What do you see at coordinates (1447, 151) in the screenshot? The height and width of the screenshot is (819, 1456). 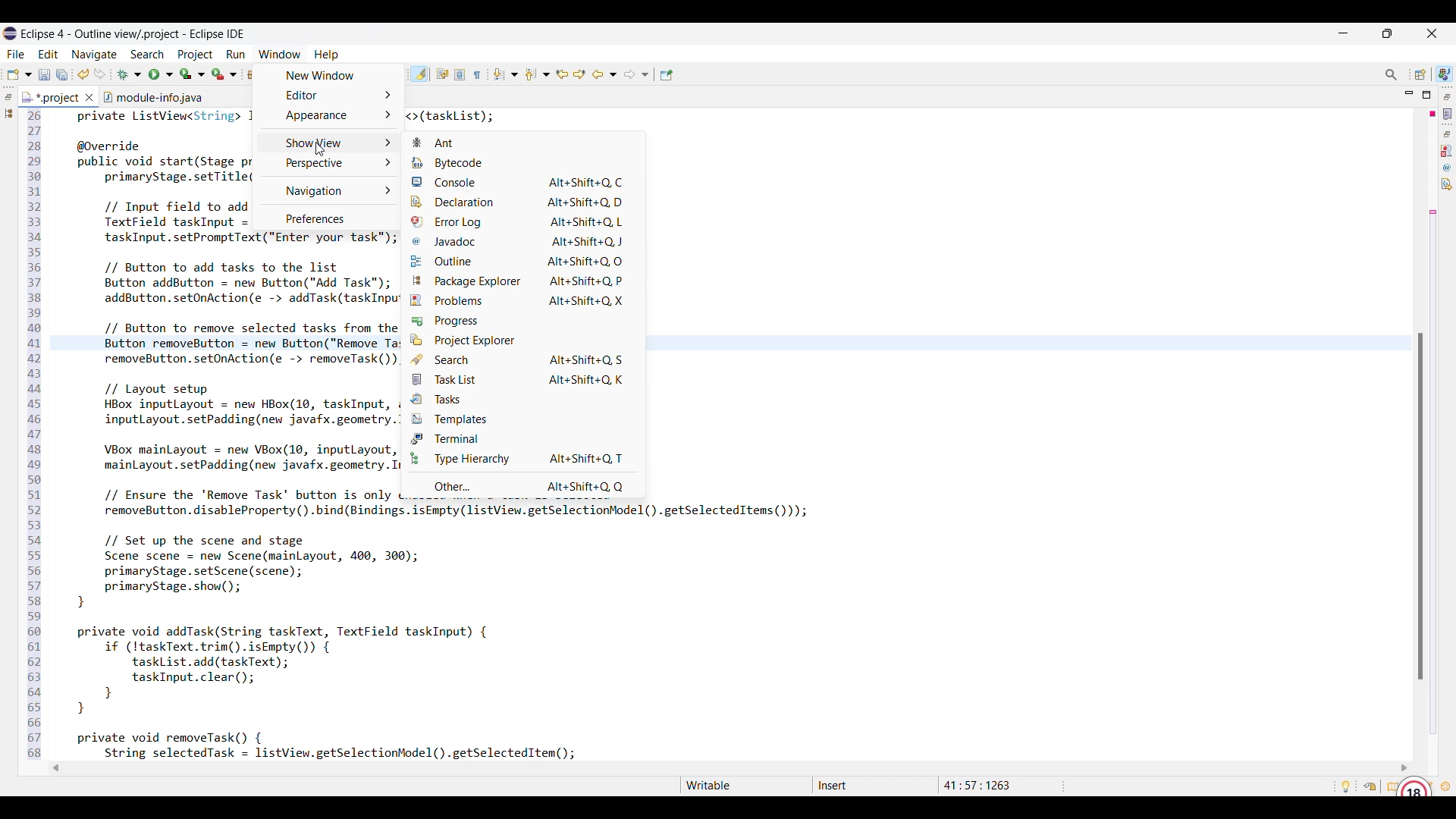 I see `Problems` at bounding box center [1447, 151].